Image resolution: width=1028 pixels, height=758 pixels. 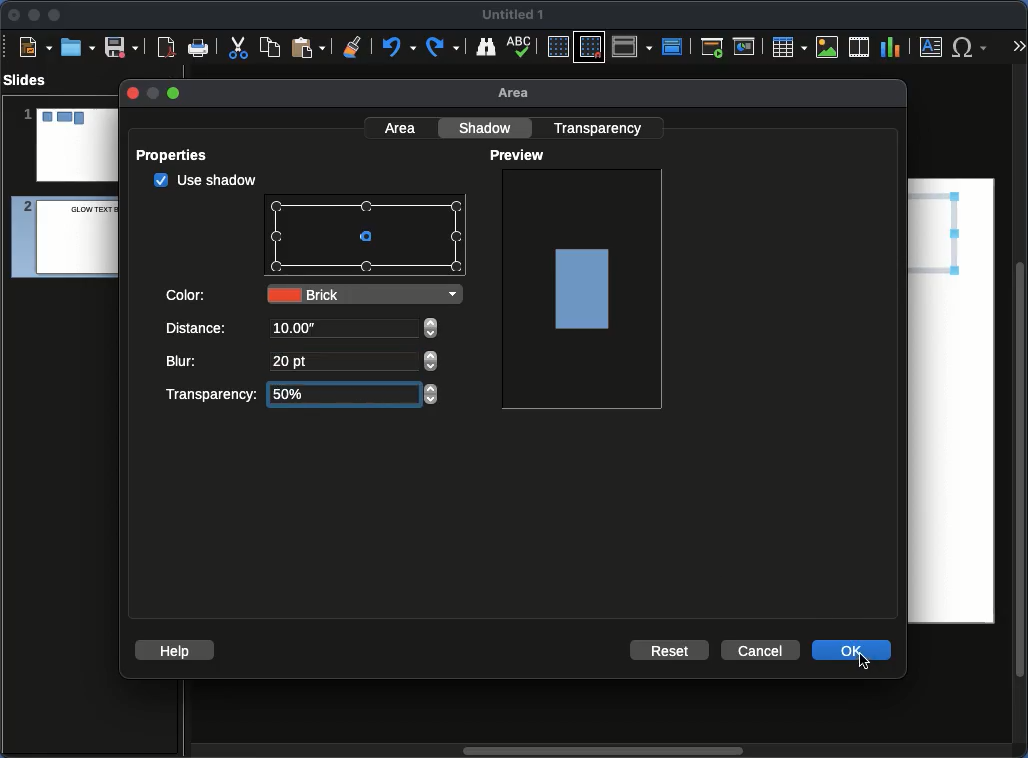 What do you see at coordinates (1018, 48) in the screenshot?
I see `More` at bounding box center [1018, 48].